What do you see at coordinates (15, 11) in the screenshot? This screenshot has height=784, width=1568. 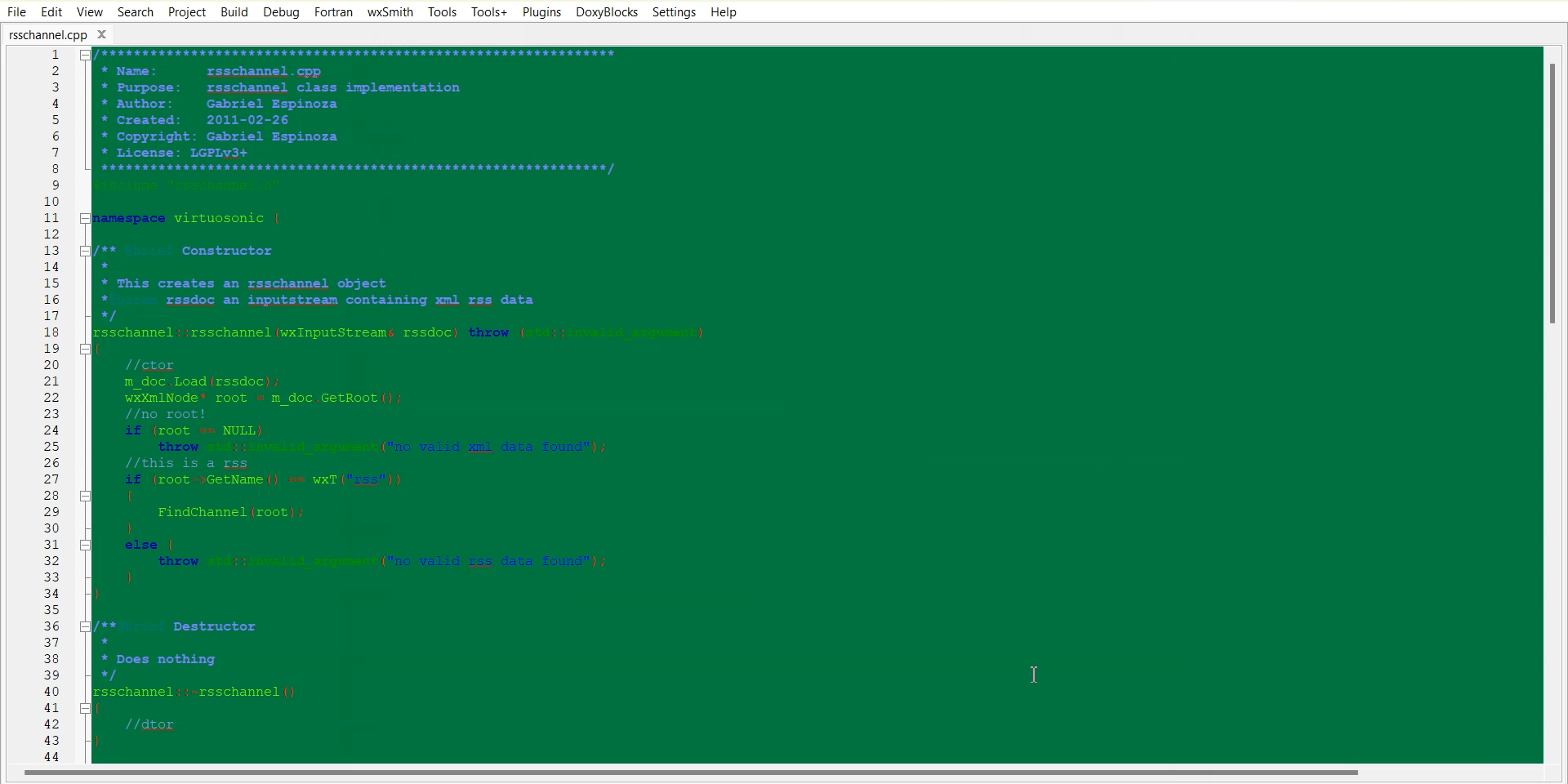 I see `File` at bounding box center [15, 11].